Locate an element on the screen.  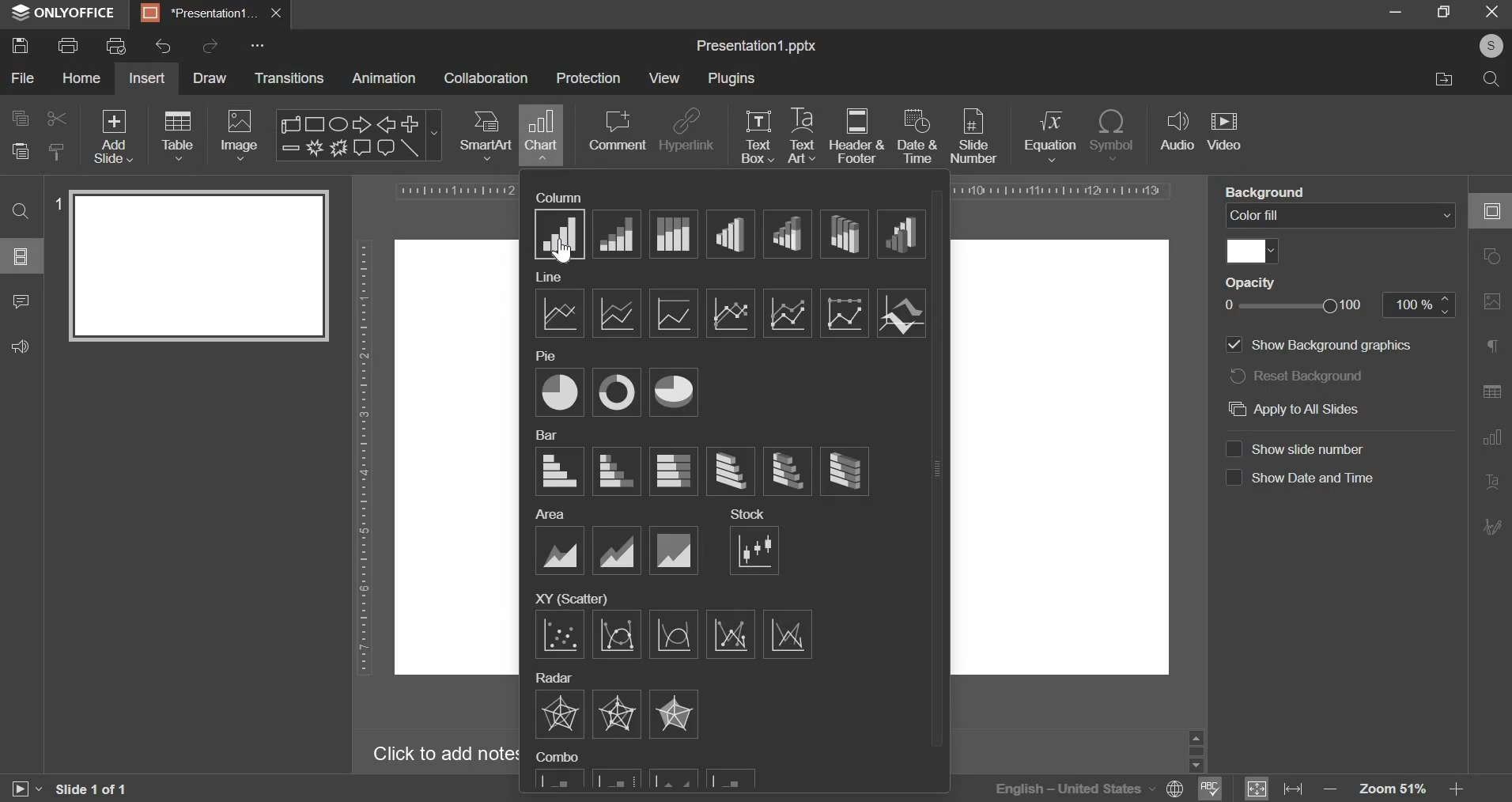
radar charts is located at coordinates (614, 712).